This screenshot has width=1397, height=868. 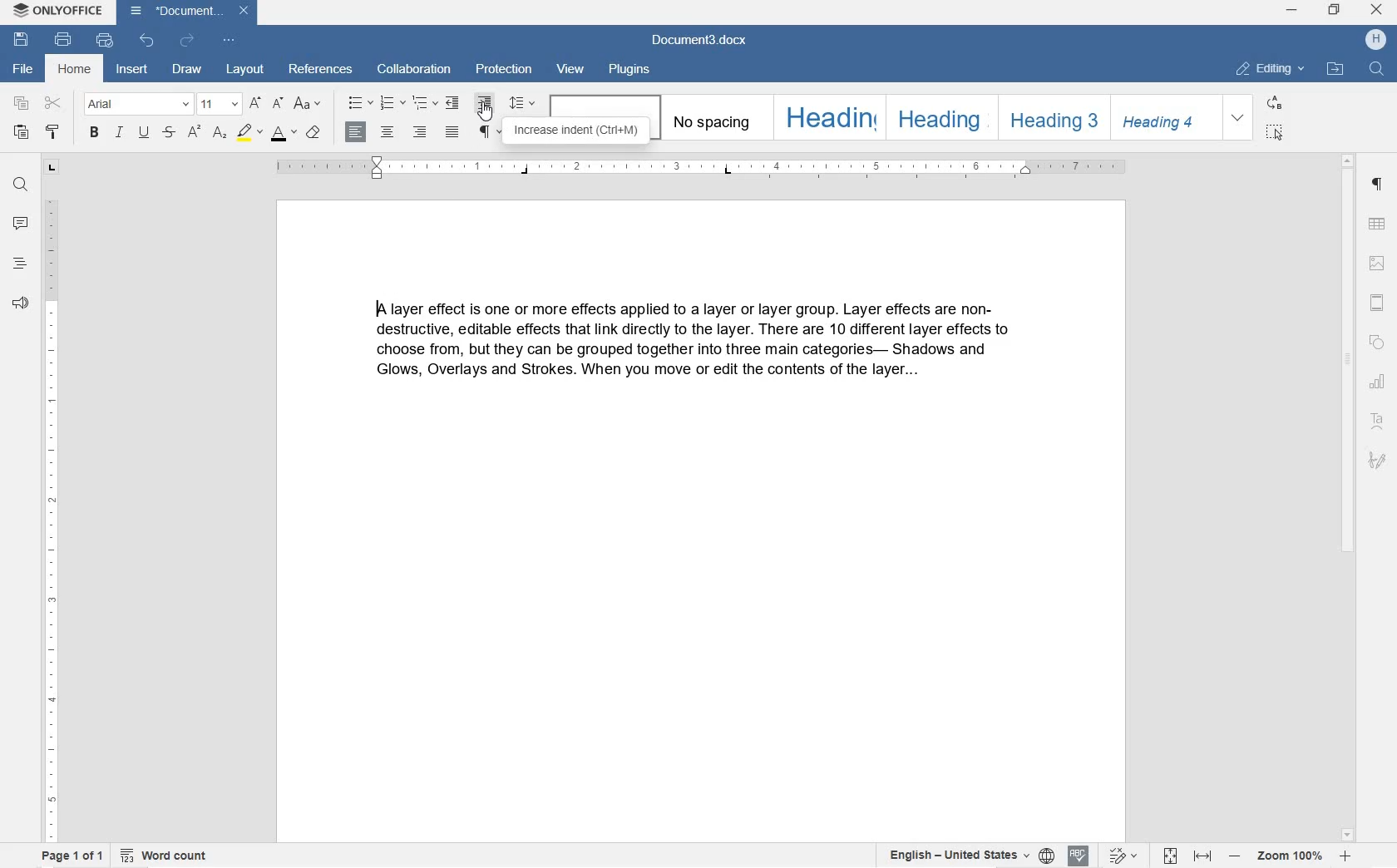 I want to click on FILE, so click(x=23, y=70).